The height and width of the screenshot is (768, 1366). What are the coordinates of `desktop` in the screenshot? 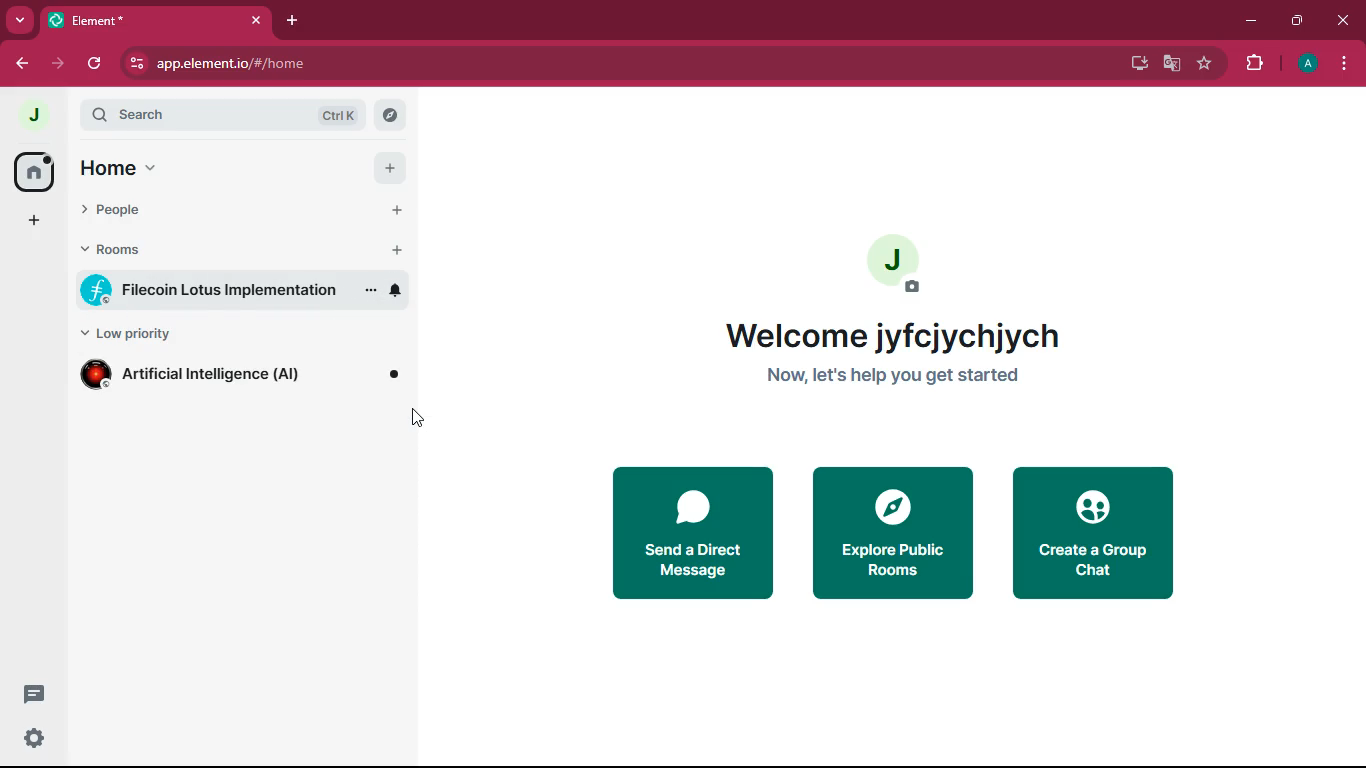 It's located at (1136, 62).